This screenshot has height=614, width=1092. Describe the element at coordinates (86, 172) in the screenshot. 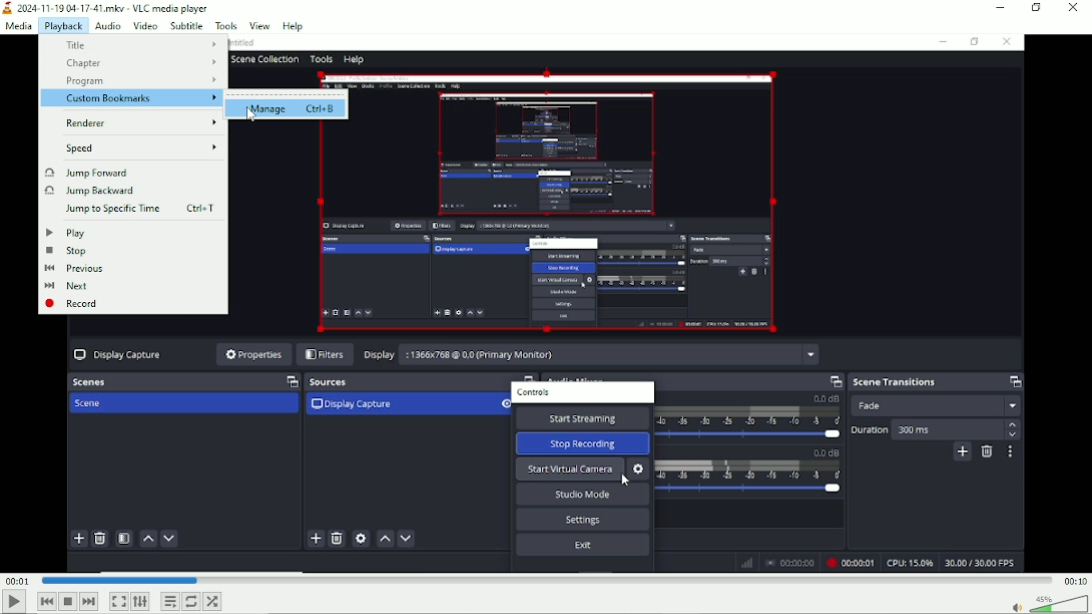

I see `Jump forward` at that location.